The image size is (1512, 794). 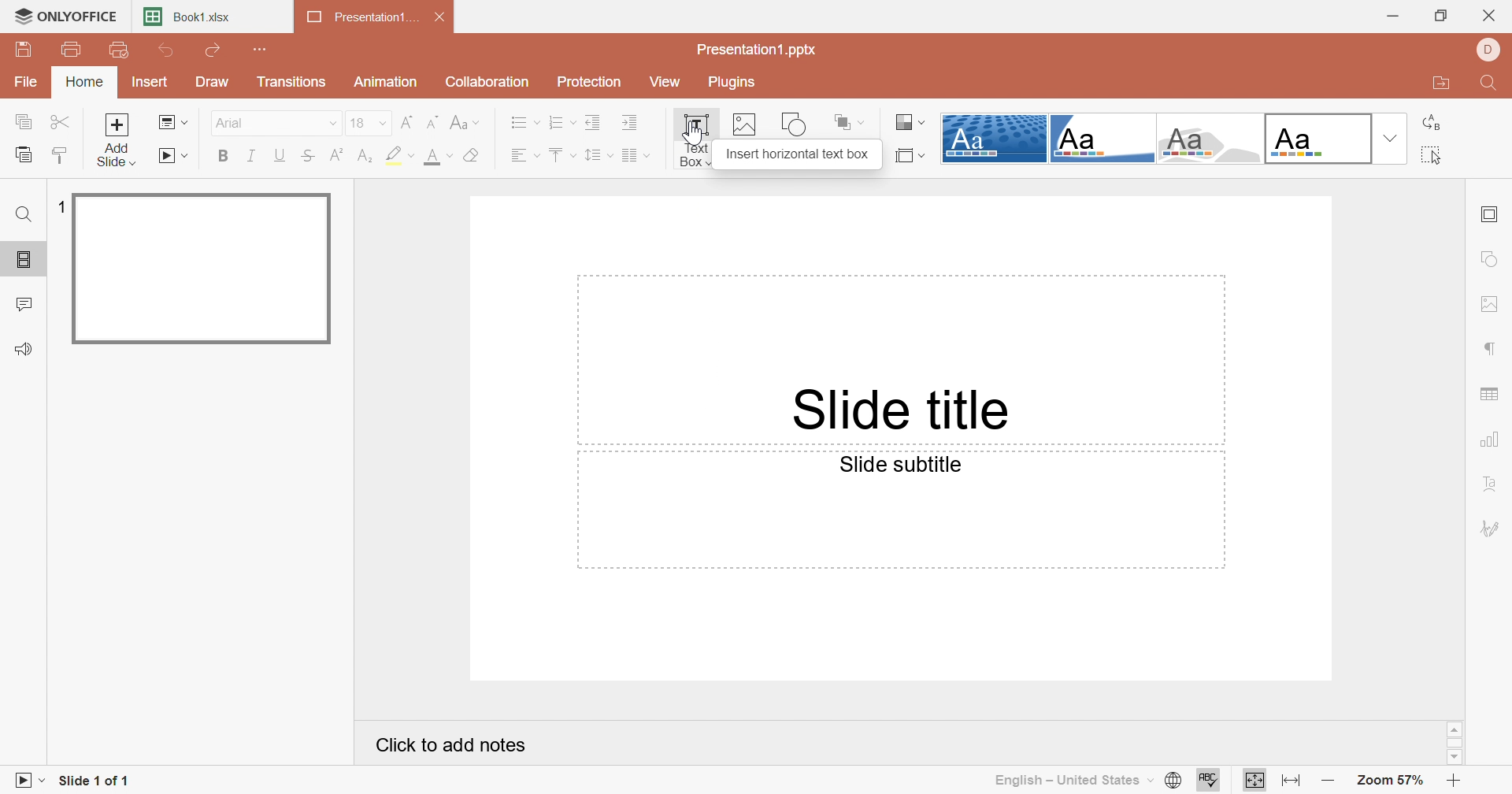 What do you see at coordinates (1331, 780) in the screenshot?
I see `Zoom out` at bounding box center [1331, 780].